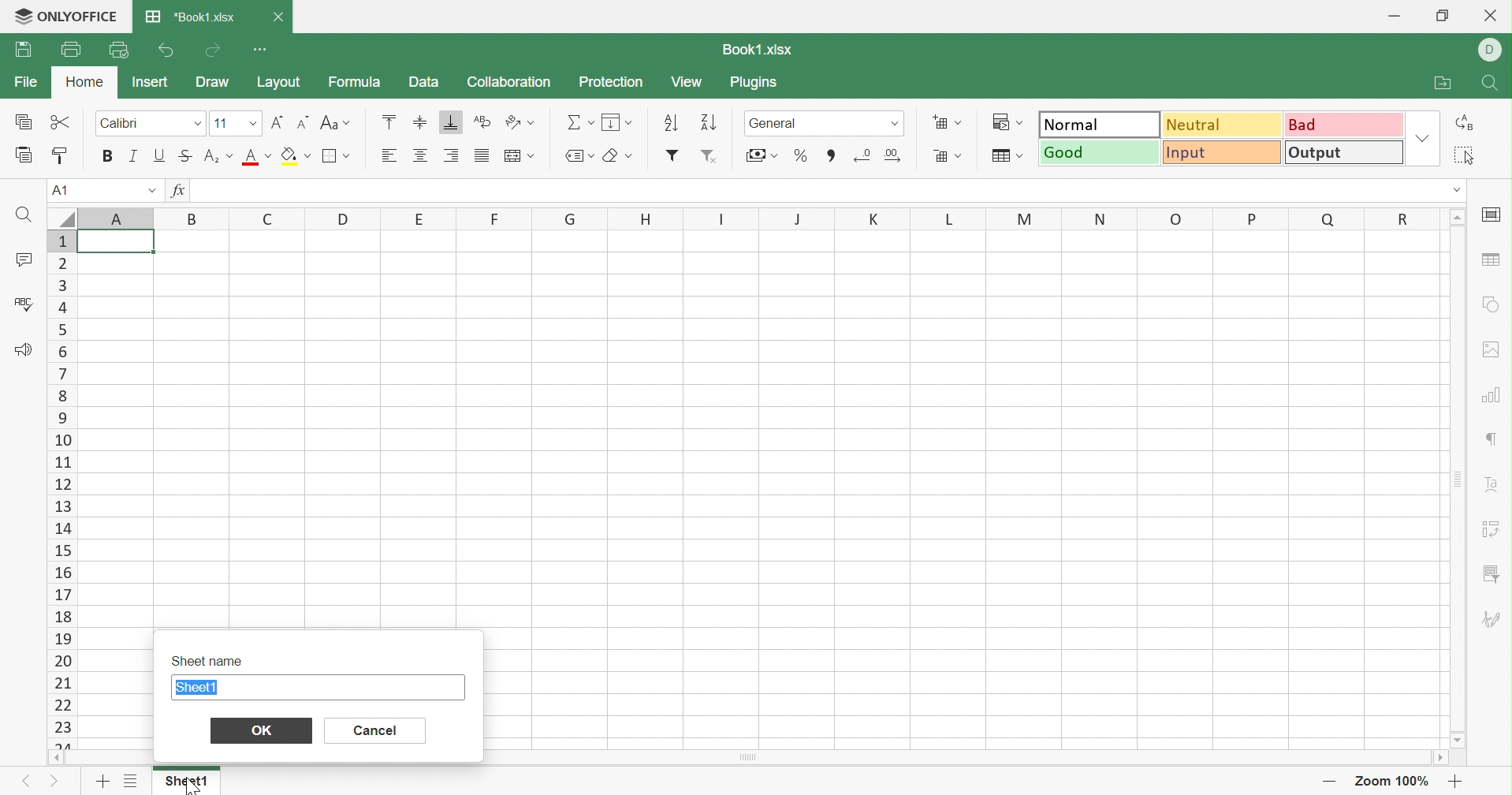 The image size is (1512, 795). Describe the element at coordinates (21, 121) in the screenshot. I see `Copy` at that location.